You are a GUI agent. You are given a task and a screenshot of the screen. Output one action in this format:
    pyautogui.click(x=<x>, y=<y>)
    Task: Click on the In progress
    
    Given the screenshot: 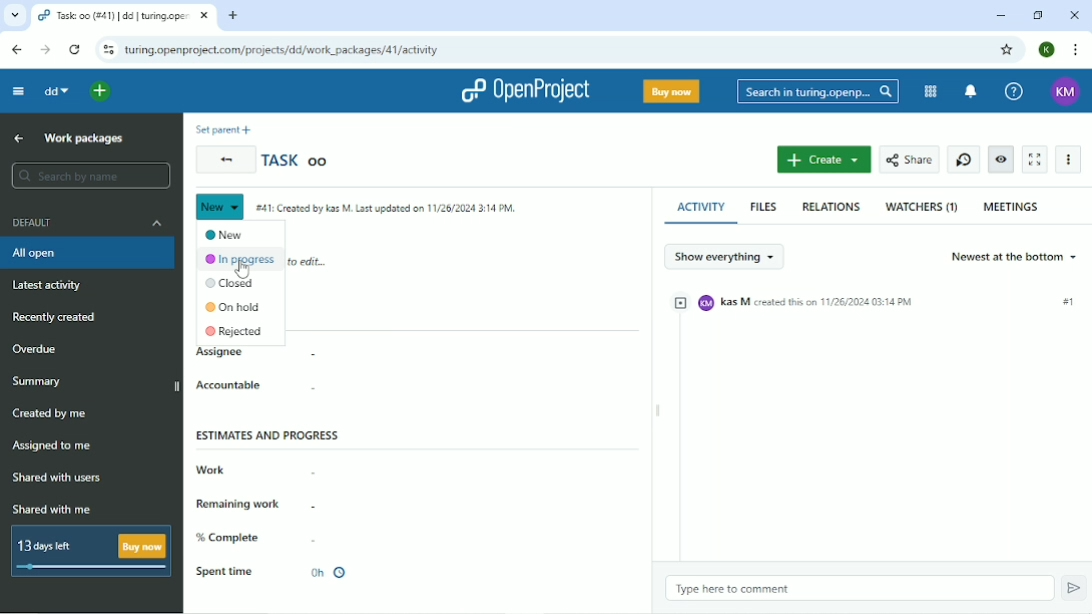 What is the action you would take?
    pyautogui.click(x=241, y=260)
    